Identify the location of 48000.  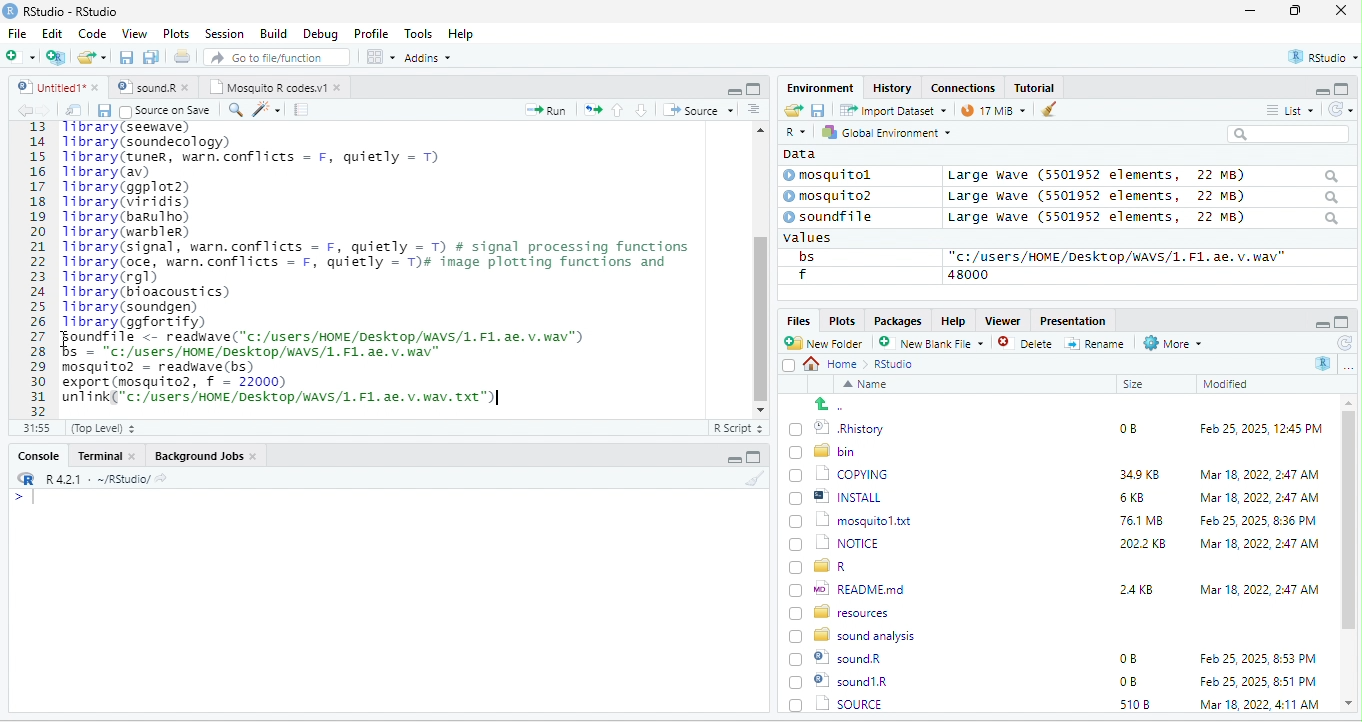
(969, 274).